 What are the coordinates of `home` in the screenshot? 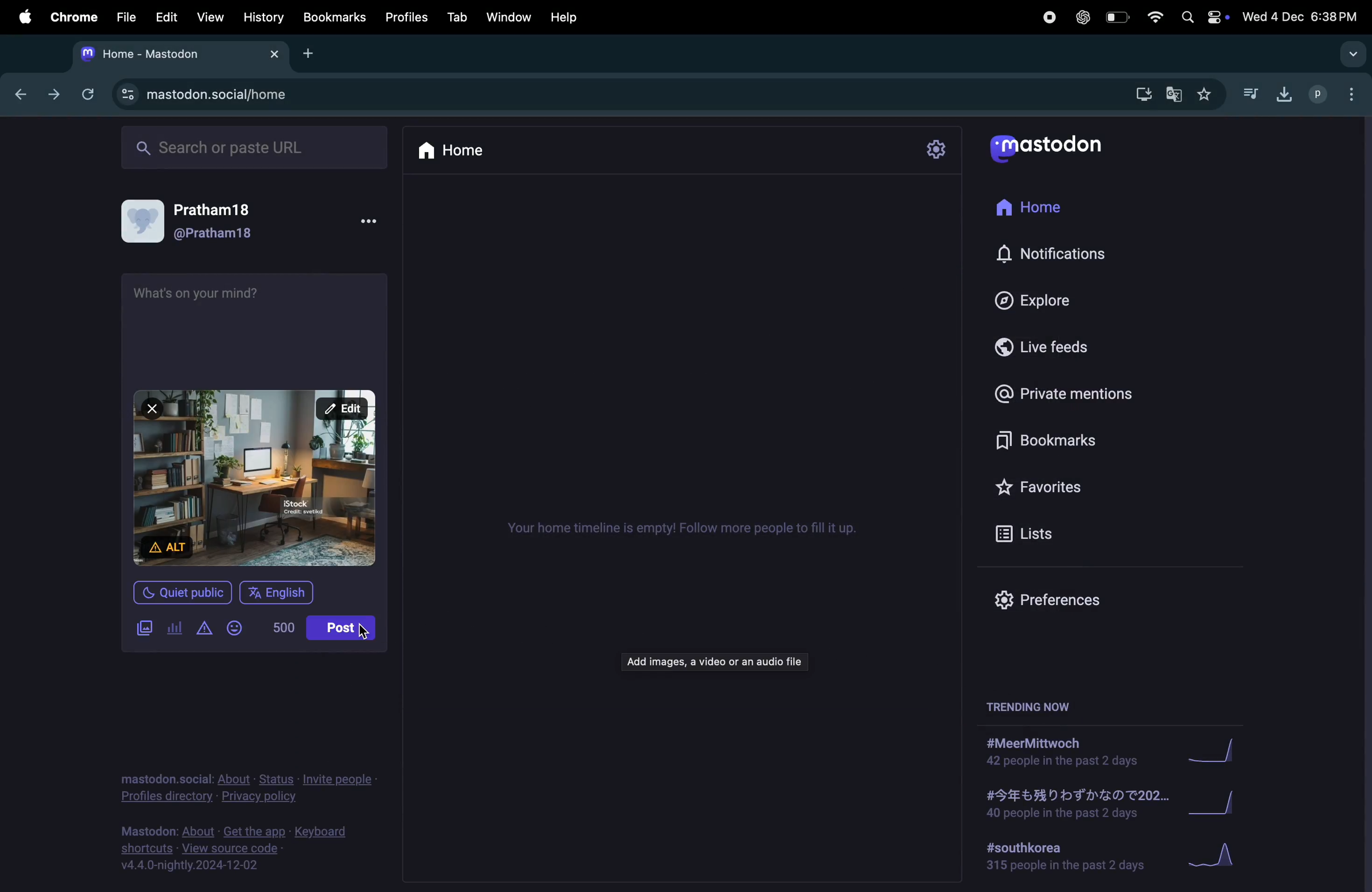 It's located at (1034, 211).